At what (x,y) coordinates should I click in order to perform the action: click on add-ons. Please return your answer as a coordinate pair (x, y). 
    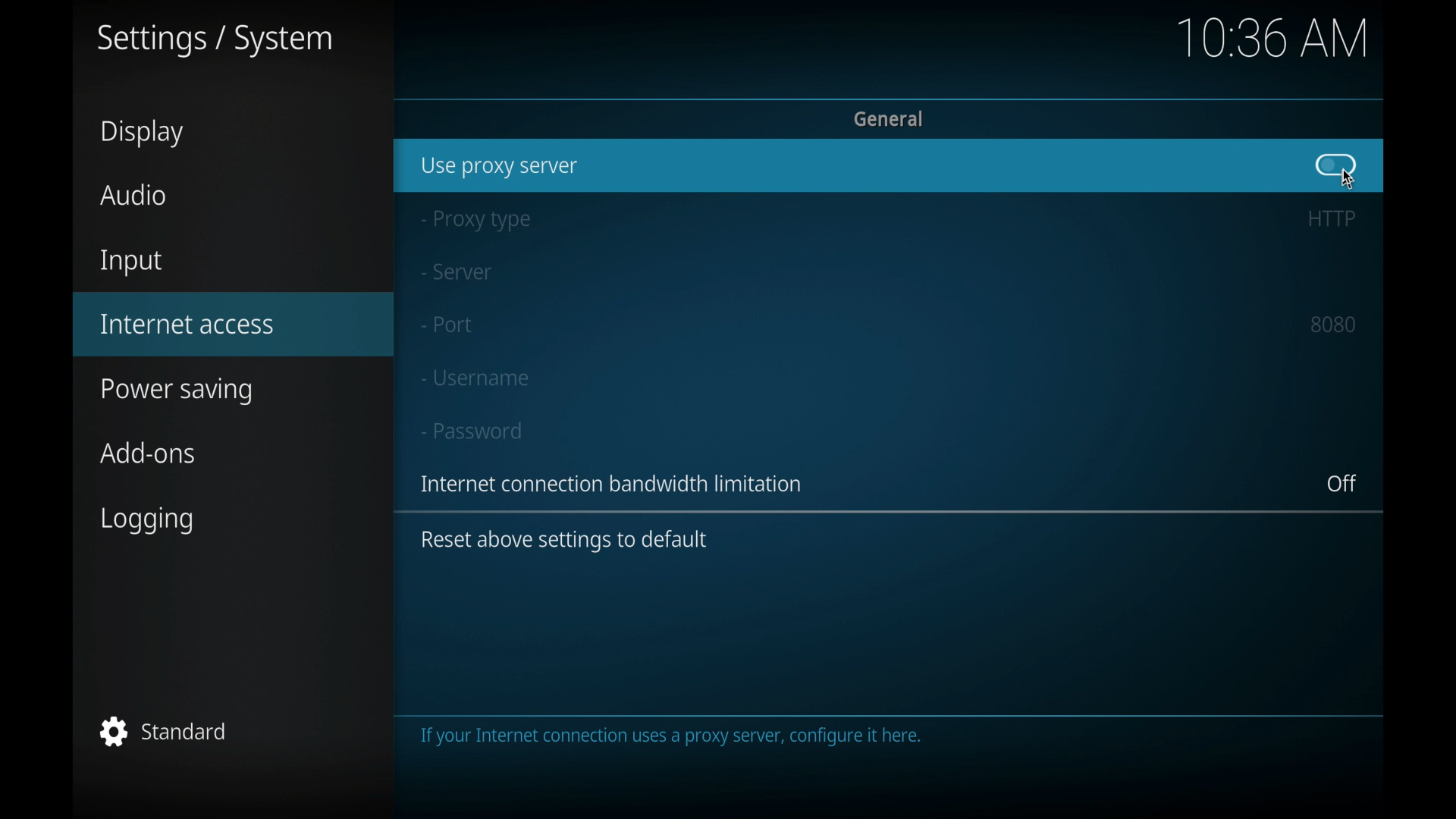
    Looking at the image, I should click on (149, 453).